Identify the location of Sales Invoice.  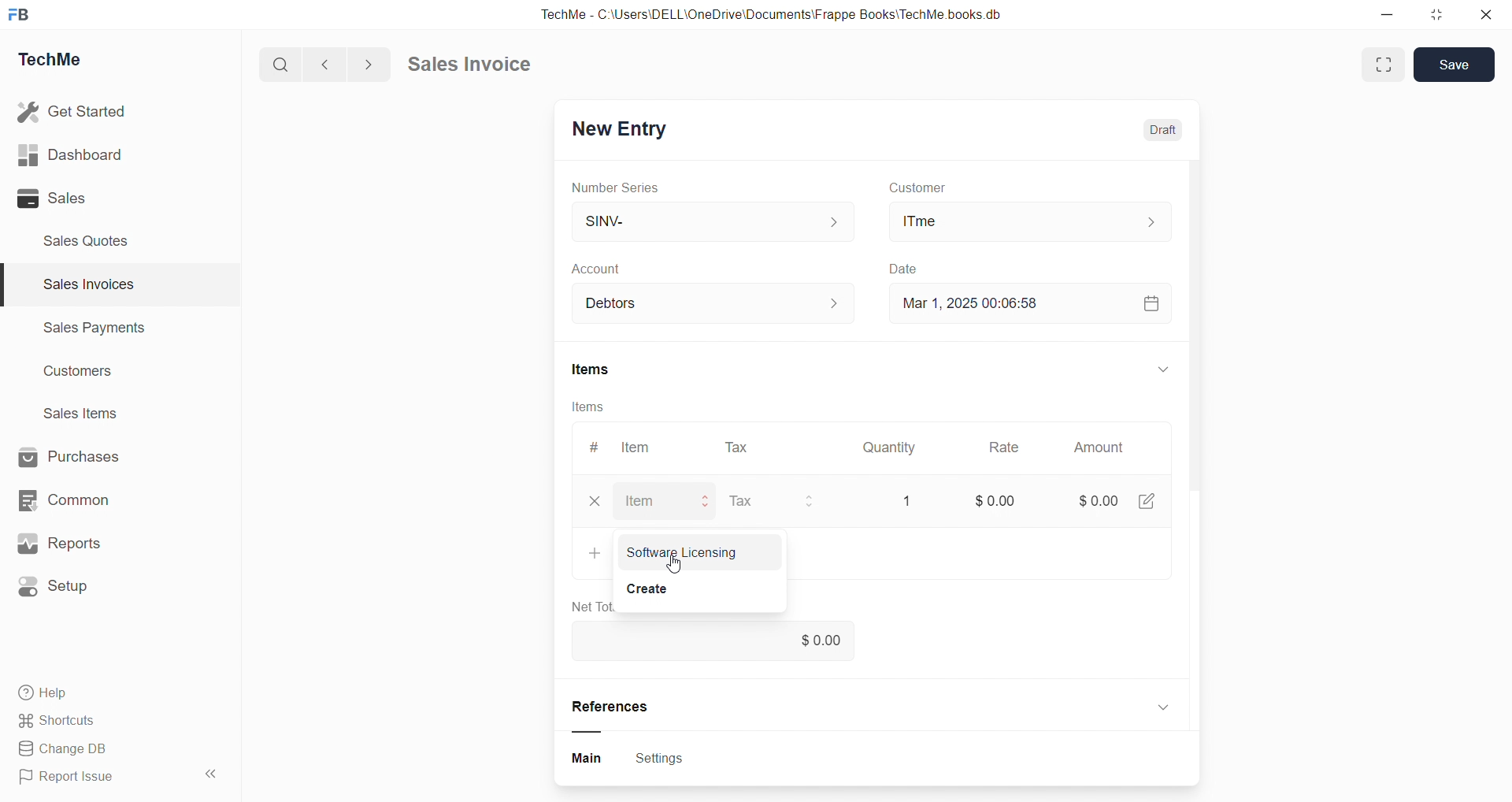
(476, 66).